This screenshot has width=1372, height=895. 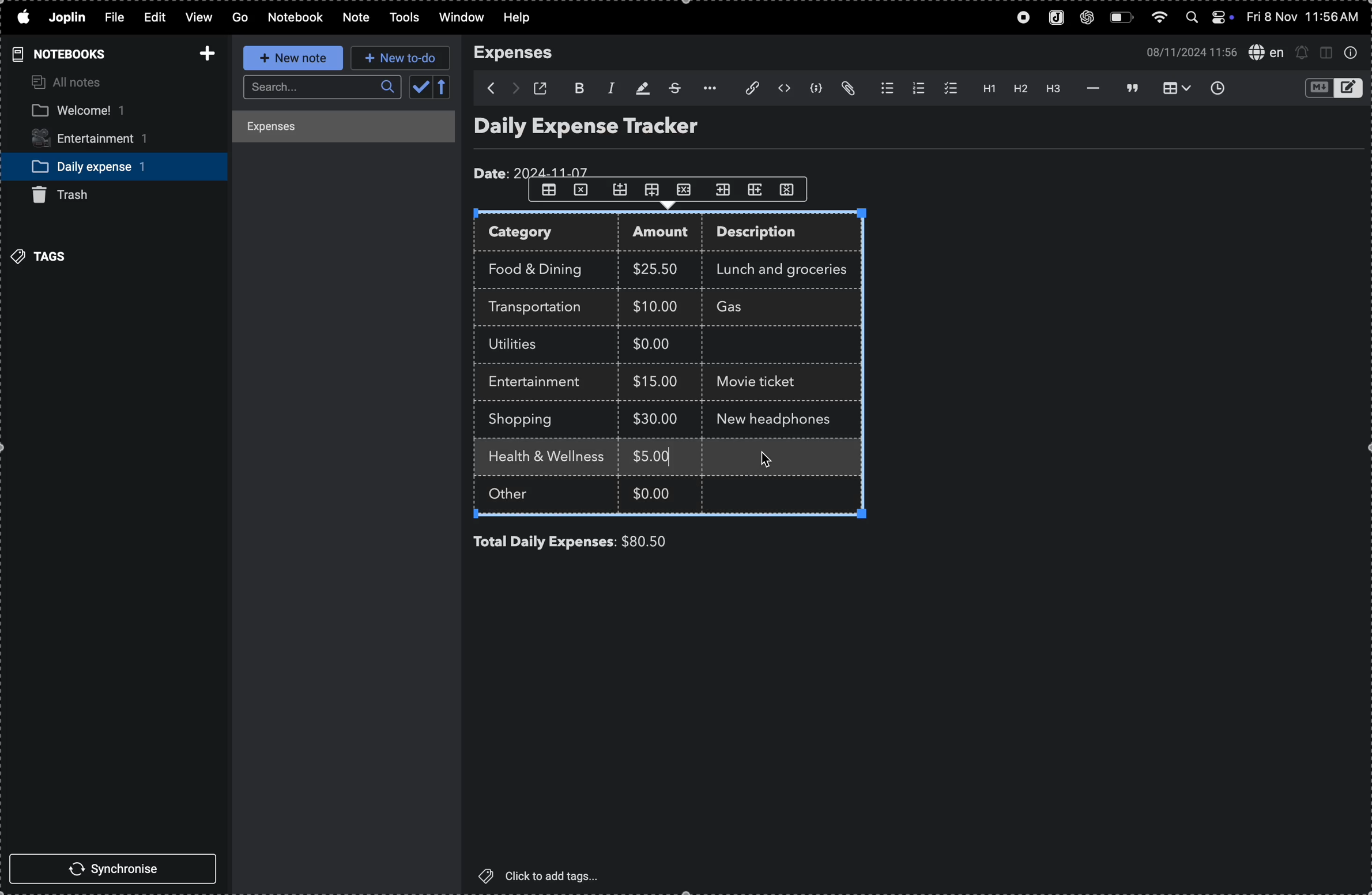 What do you see at coordinates (1088, 18) in the screenshot?
I see `chatgpt` at bounding box center [1088, 18].